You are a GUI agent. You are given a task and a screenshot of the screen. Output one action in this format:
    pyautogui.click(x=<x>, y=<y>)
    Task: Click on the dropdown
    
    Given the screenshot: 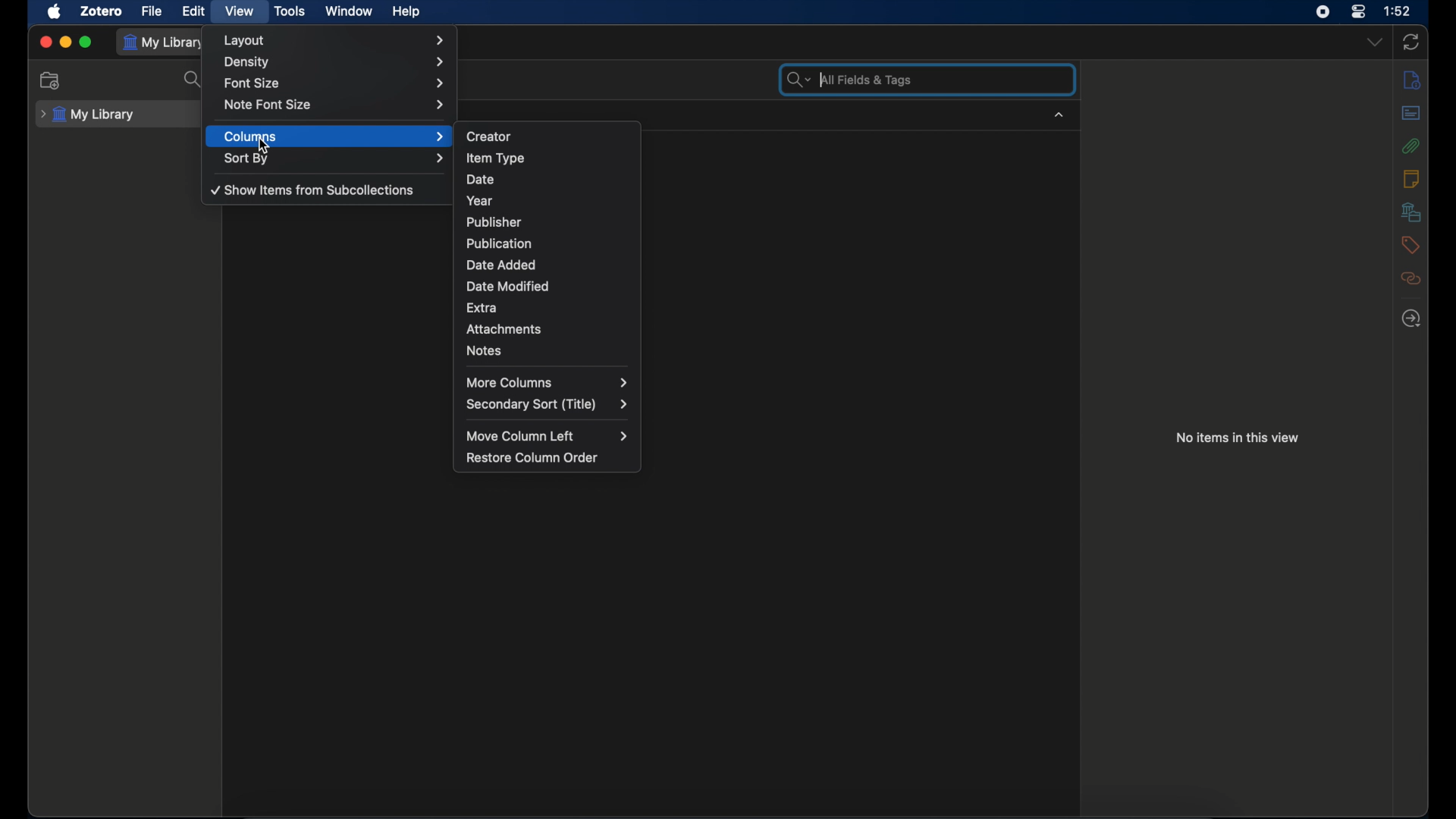 What is the action you would take?
    pyautogui.click(x=1375, y=42)
    